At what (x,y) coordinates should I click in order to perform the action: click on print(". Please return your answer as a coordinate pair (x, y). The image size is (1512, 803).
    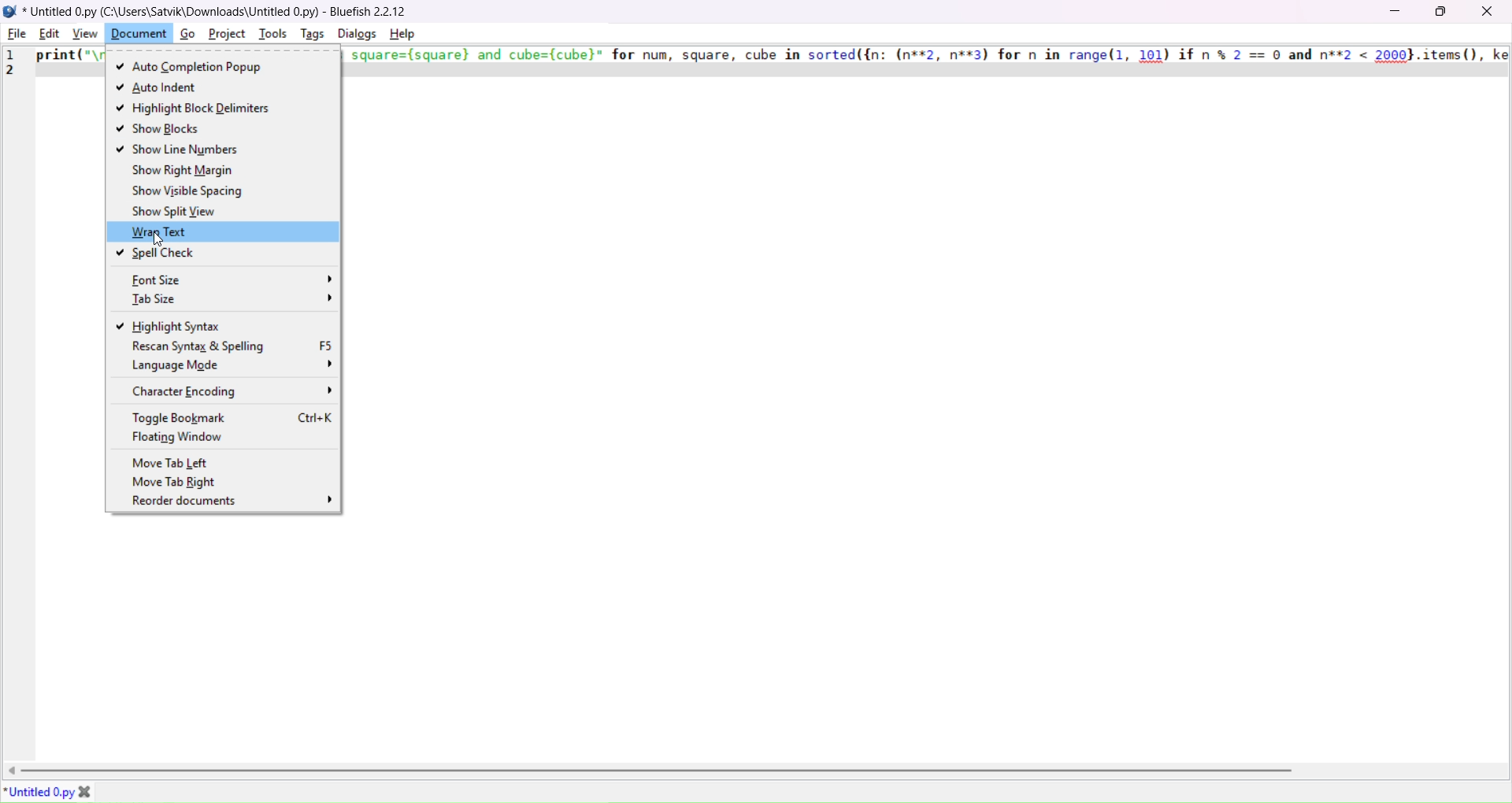
    Looking at the image, I should click on (65, 54).